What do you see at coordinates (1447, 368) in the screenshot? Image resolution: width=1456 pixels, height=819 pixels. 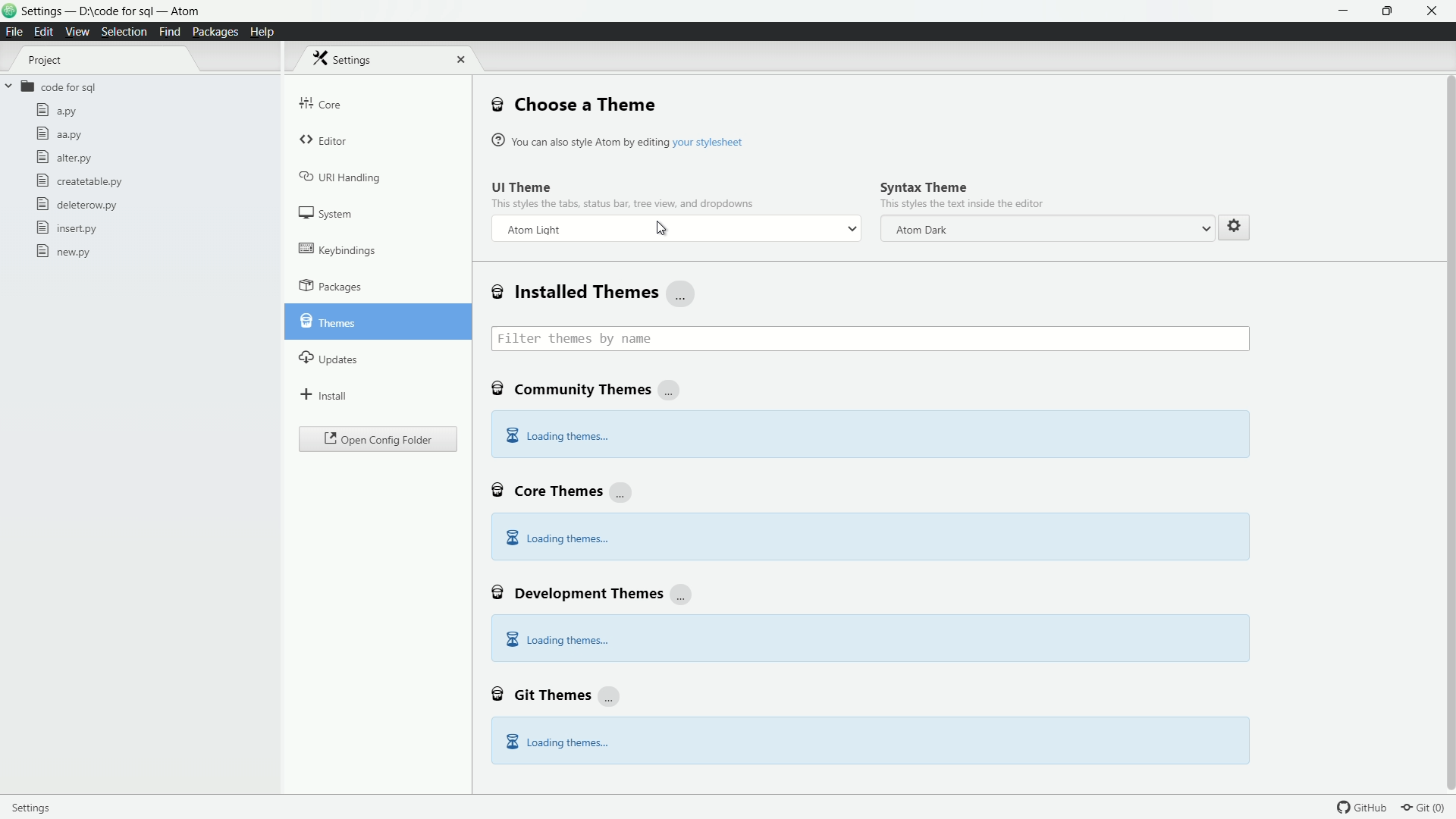 I see `scroll bar` at bounding box center [1447, 368].